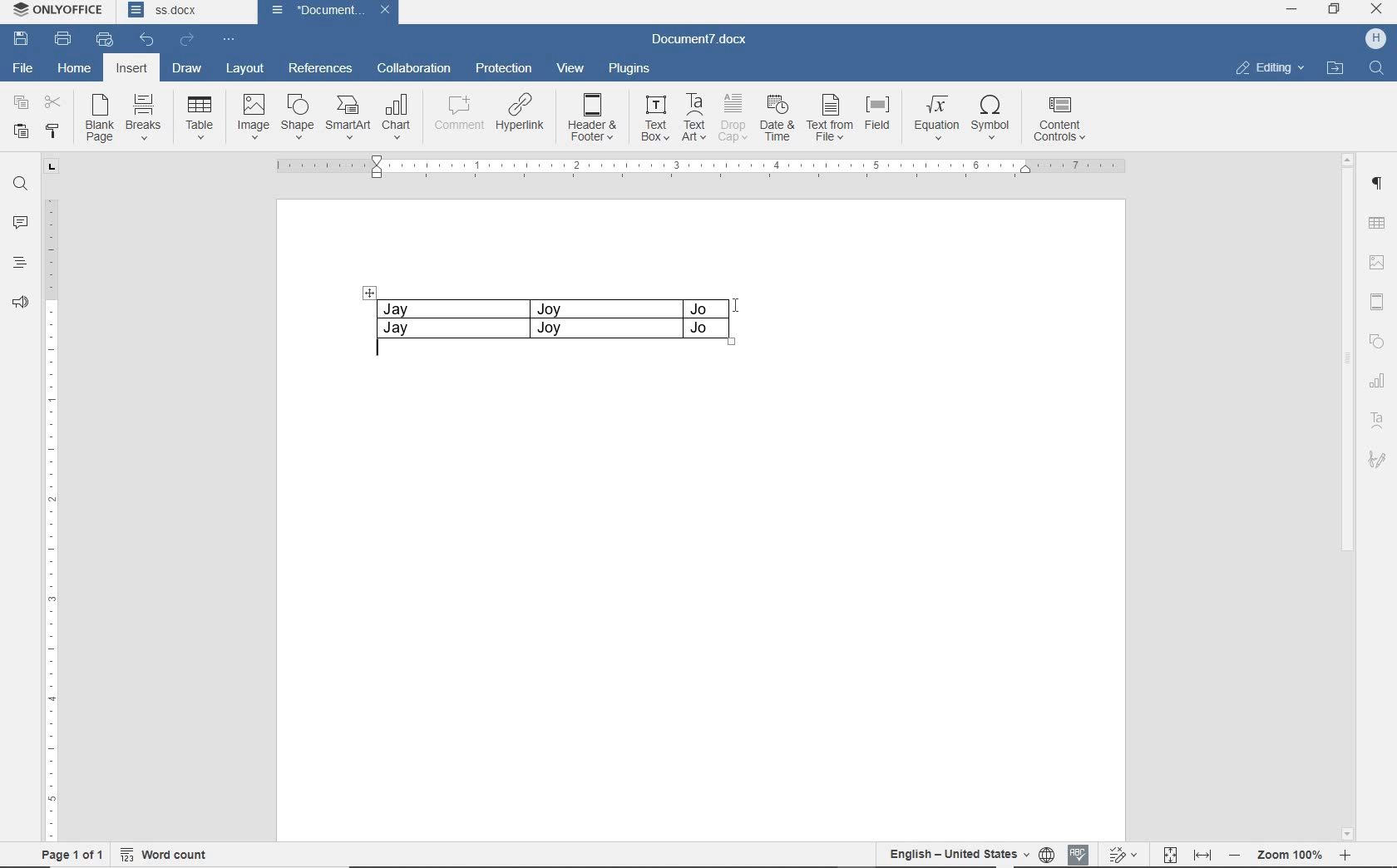  Describe the element at coordinates (502, 68) in the screenshot. I see `PROTECTION` at that location.